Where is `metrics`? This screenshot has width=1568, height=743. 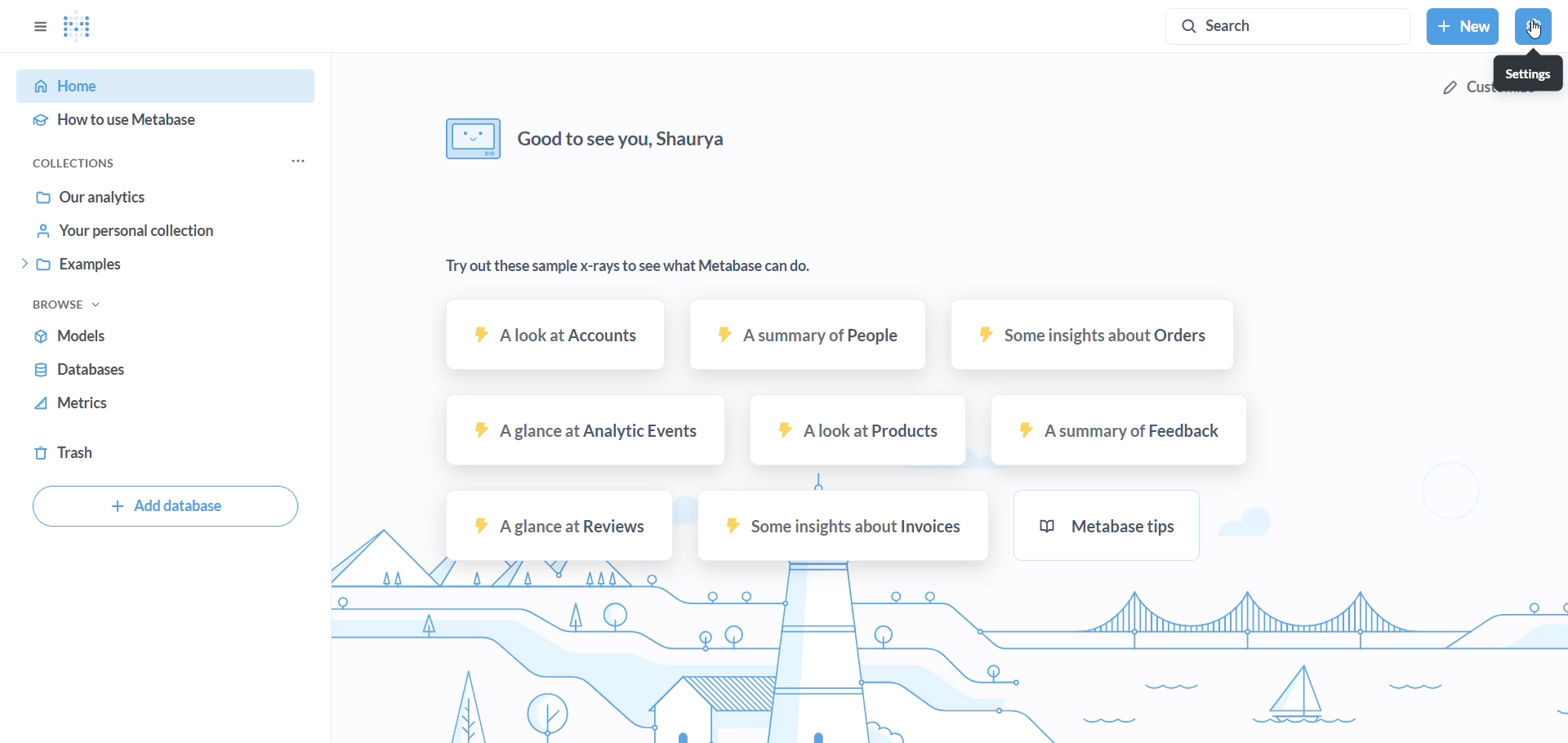 metrics is located at coordinates (96, 404).